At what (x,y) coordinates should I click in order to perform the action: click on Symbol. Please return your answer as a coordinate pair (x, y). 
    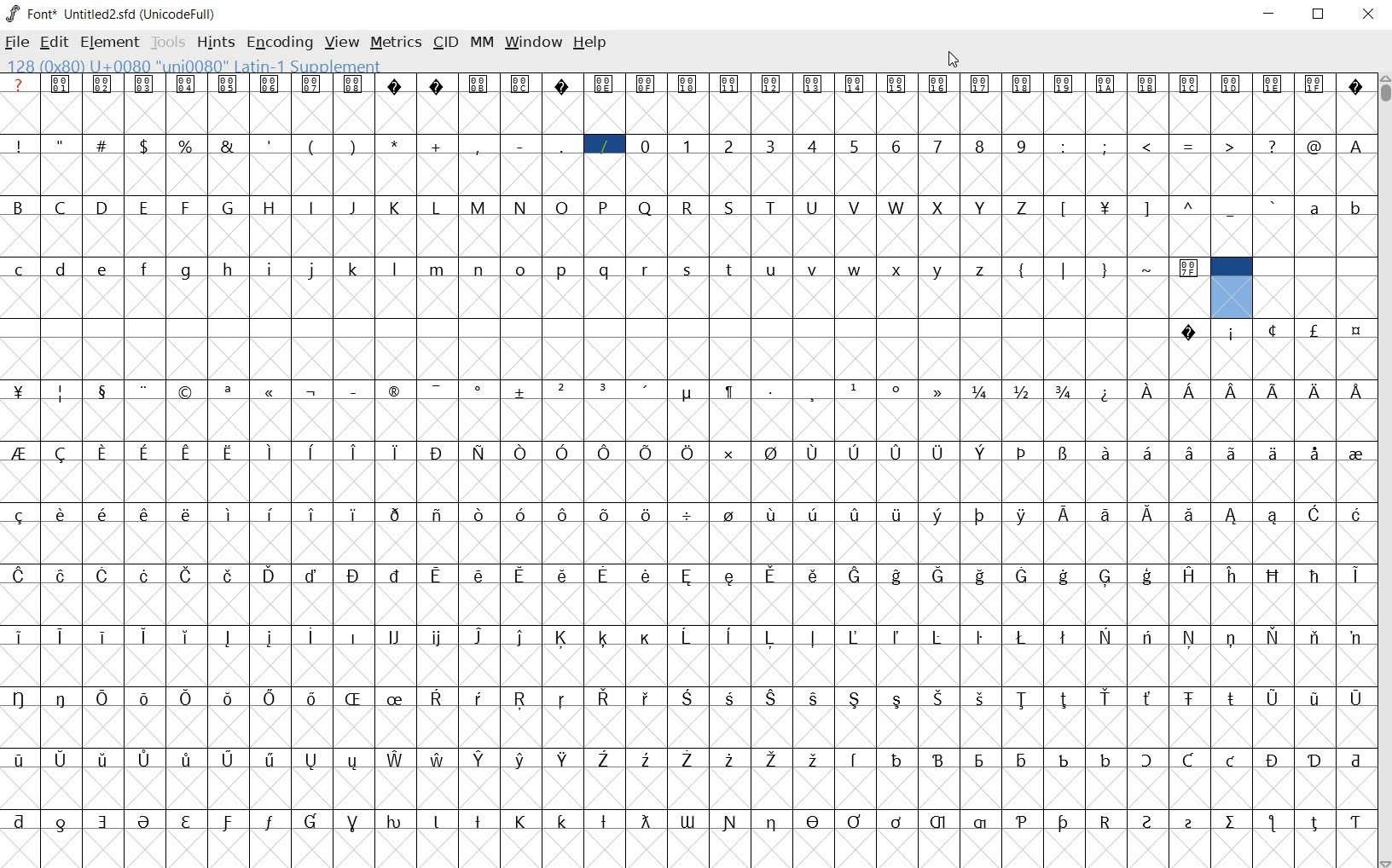
    Looking at the image, I should click on (64, 698).